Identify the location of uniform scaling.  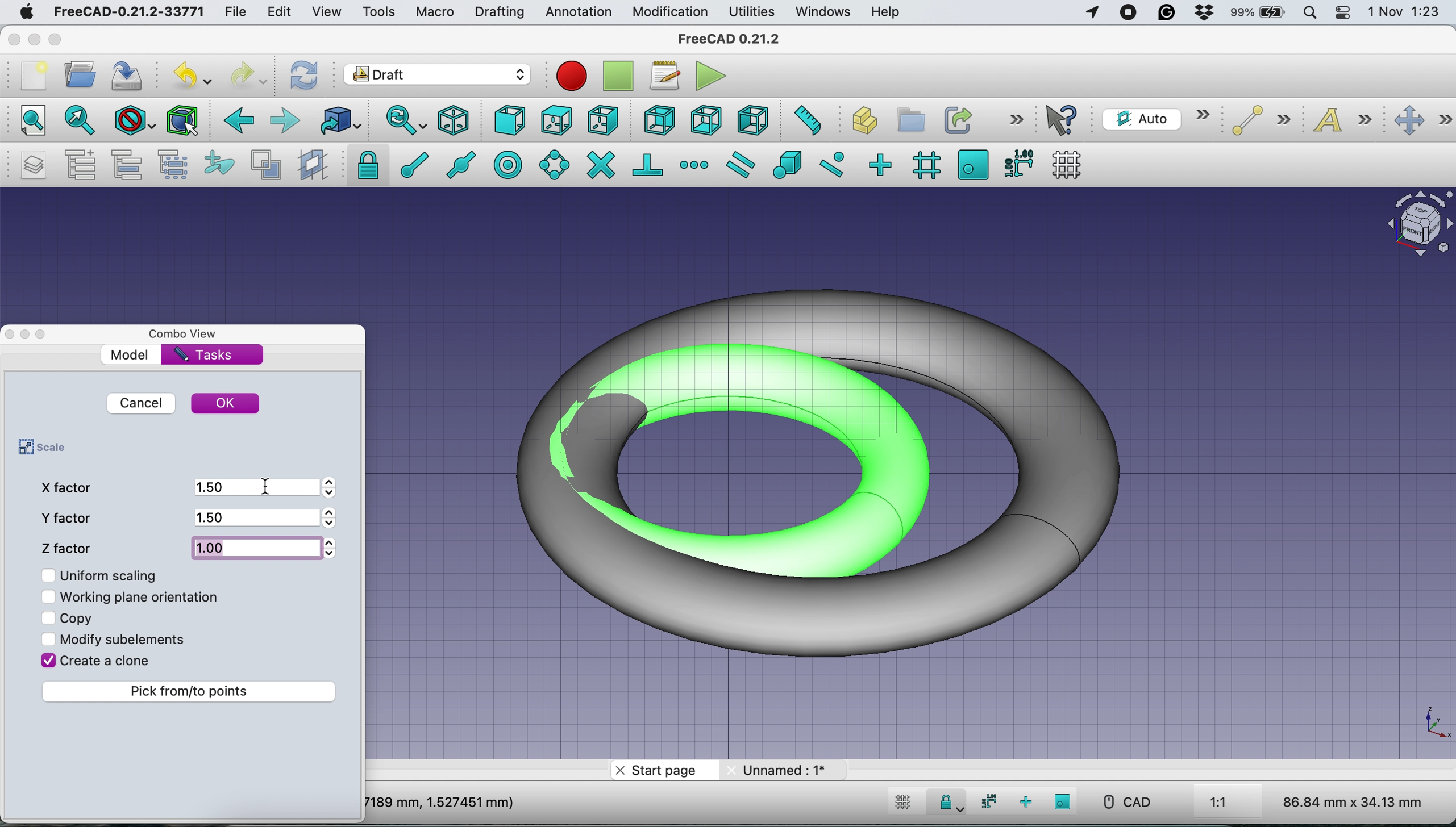
(113, 575).